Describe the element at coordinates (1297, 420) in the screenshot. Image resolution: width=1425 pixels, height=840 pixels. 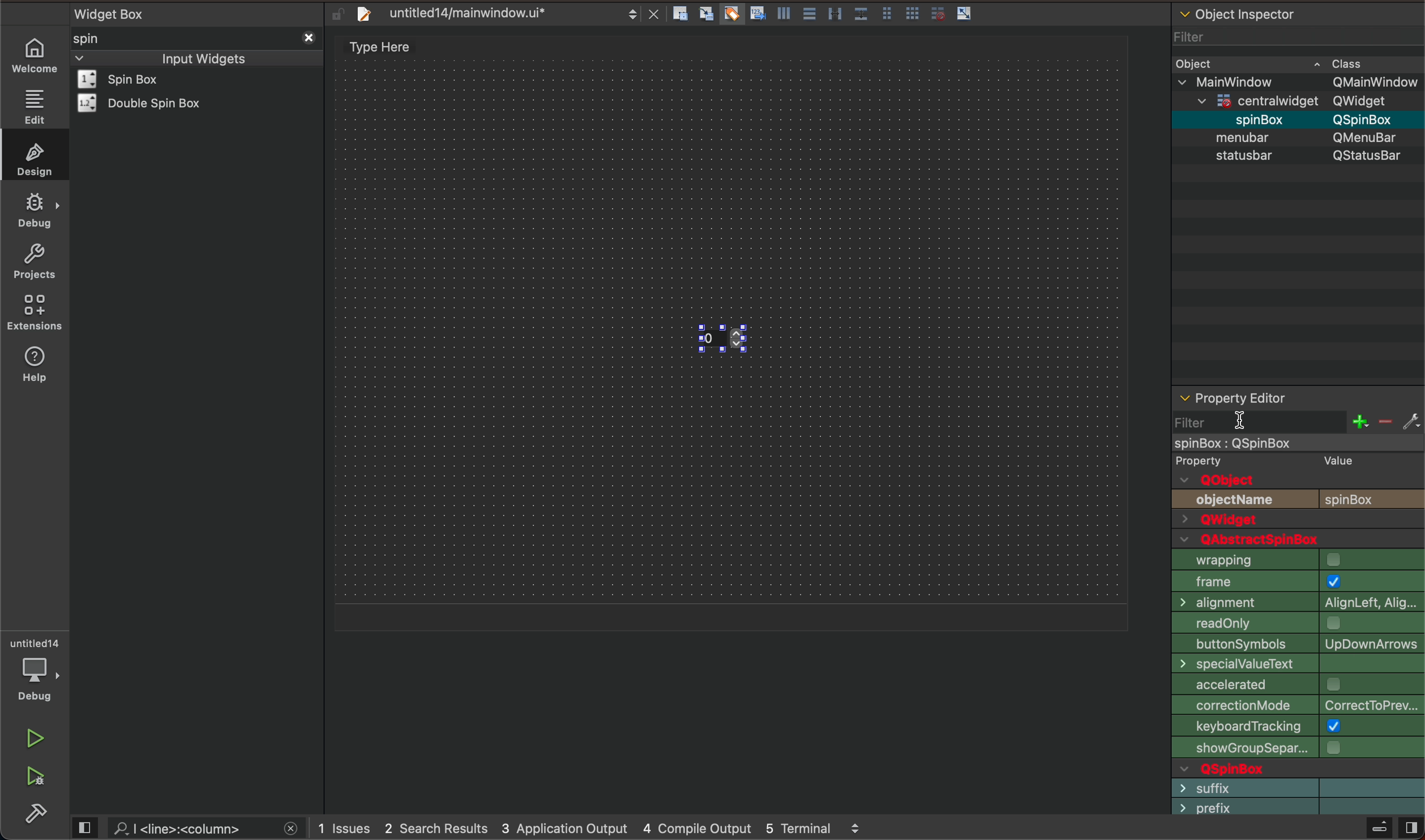
I see `filter` at that location.